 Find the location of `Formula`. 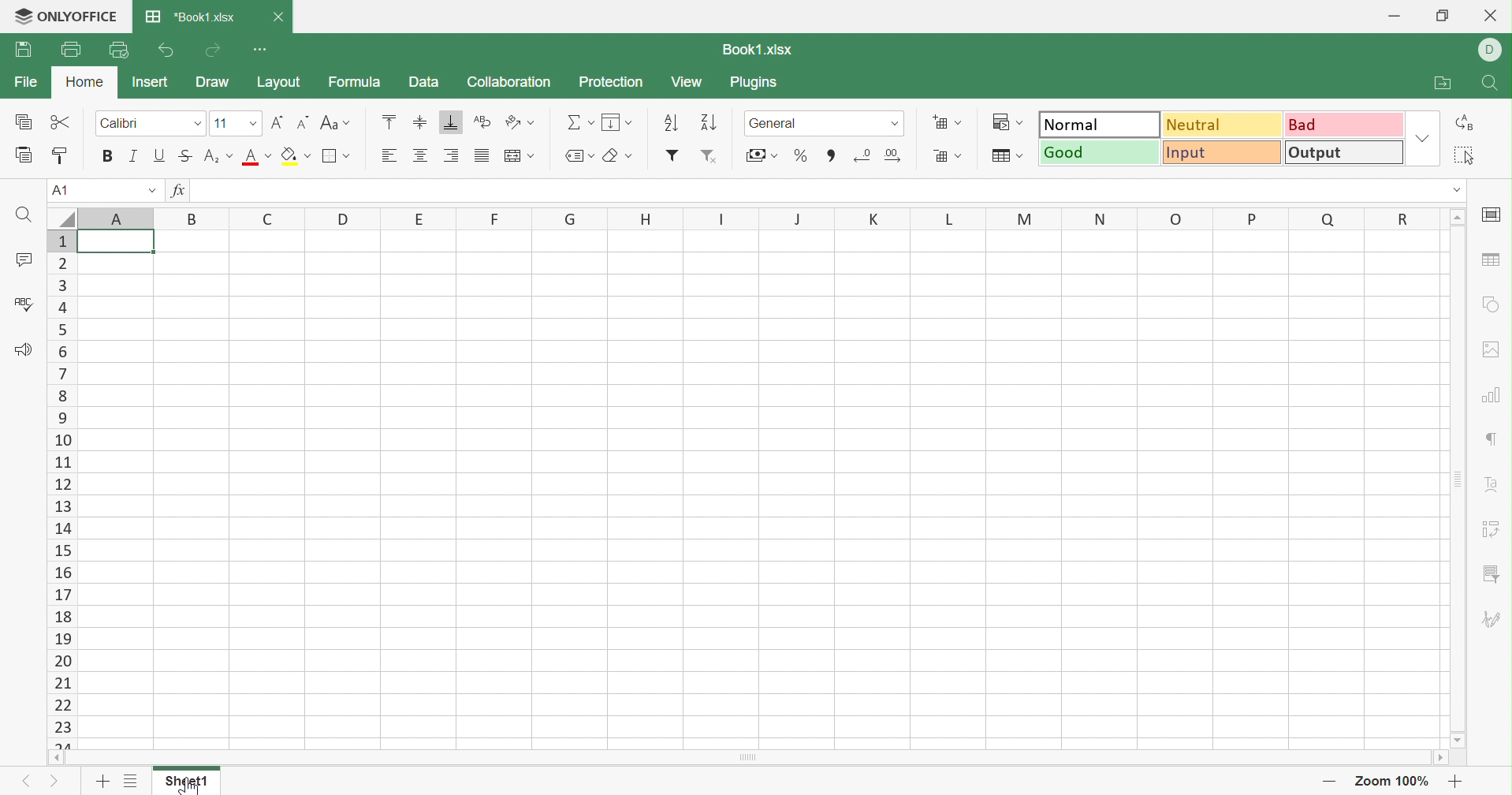

Formula is located at coordinates (355, 83).